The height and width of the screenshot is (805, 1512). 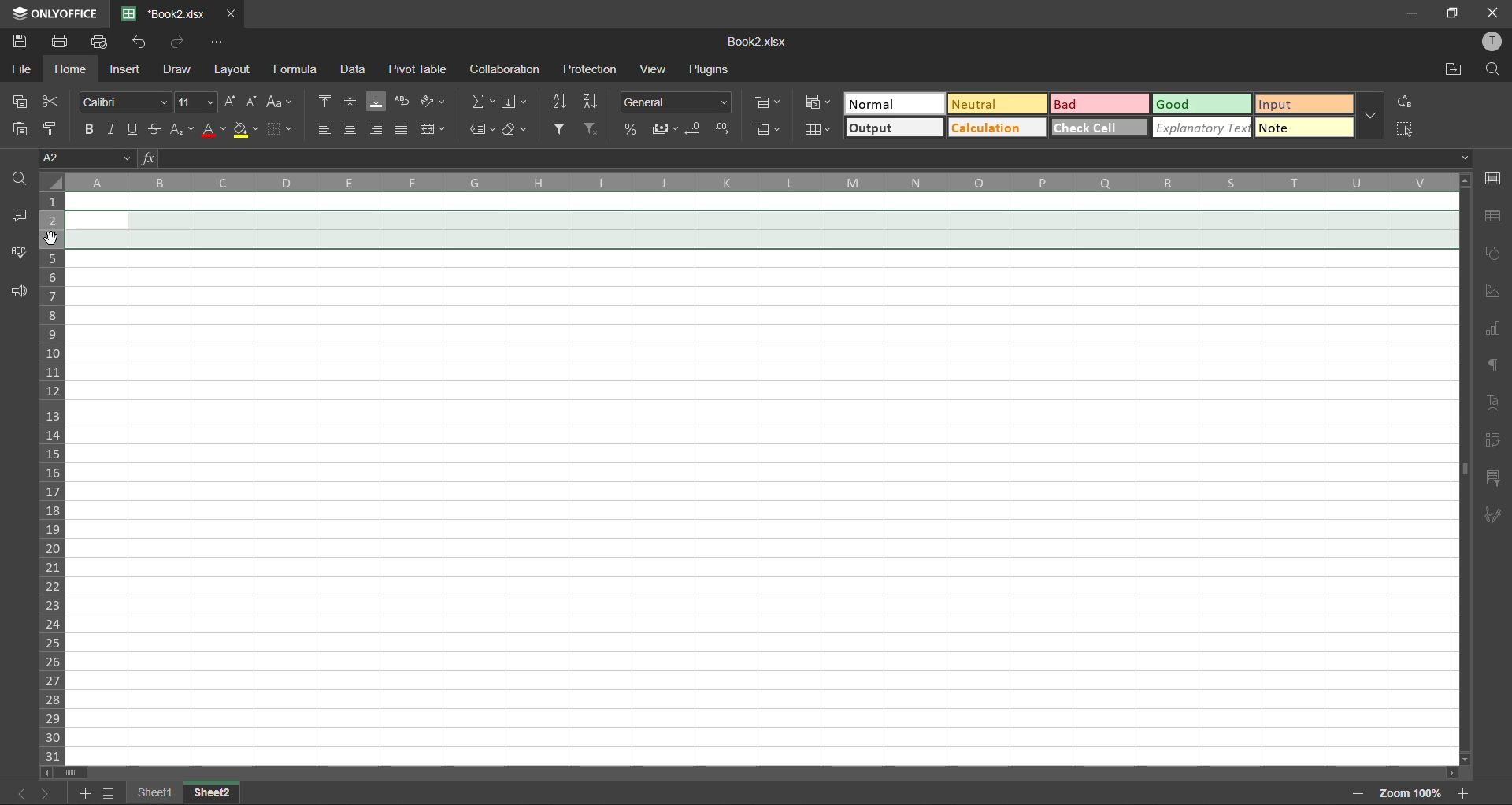 I want to click on bold, so click(x=90, y=128).